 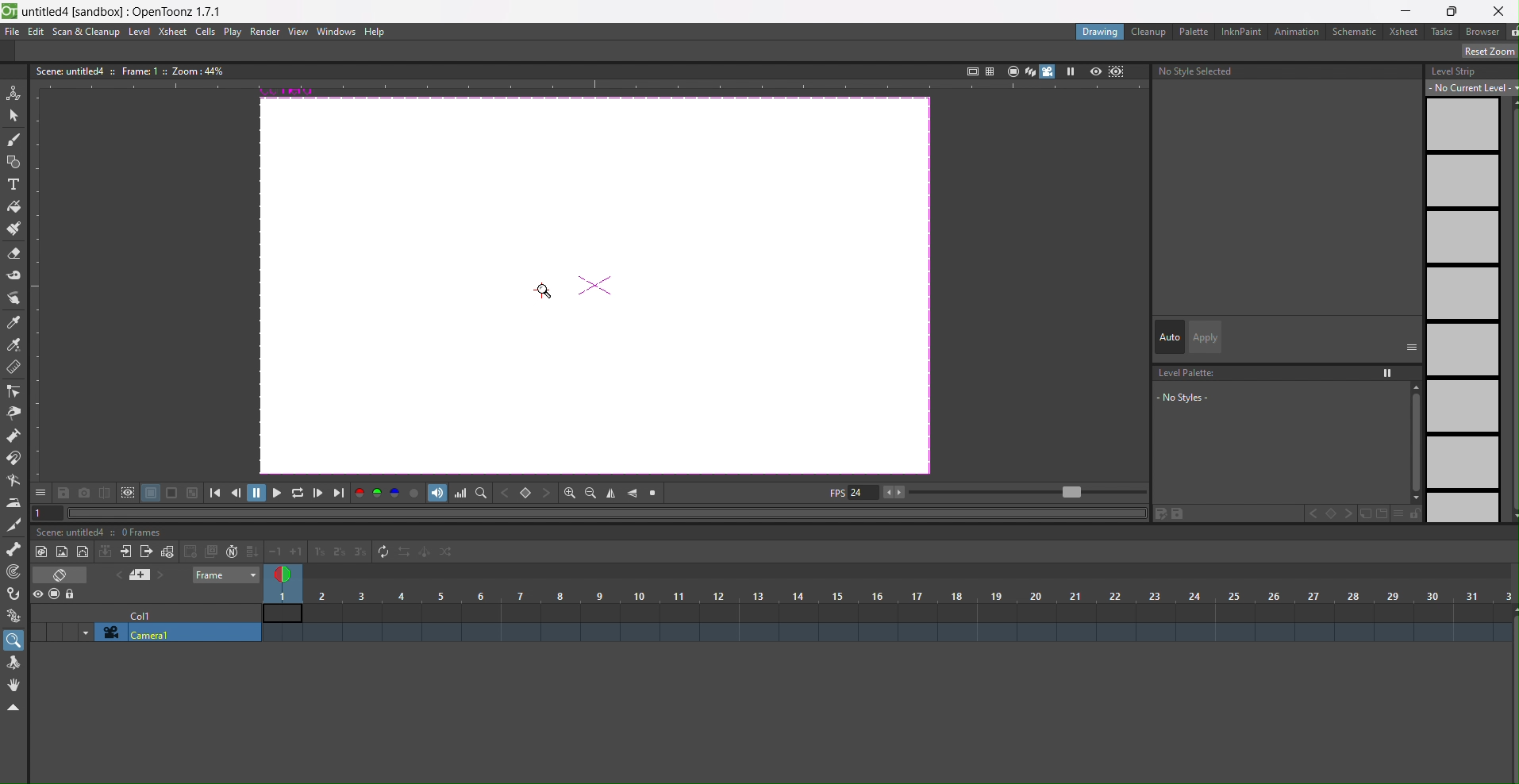 I want to click on increase/ decrease step, so click(x=317, y=553).